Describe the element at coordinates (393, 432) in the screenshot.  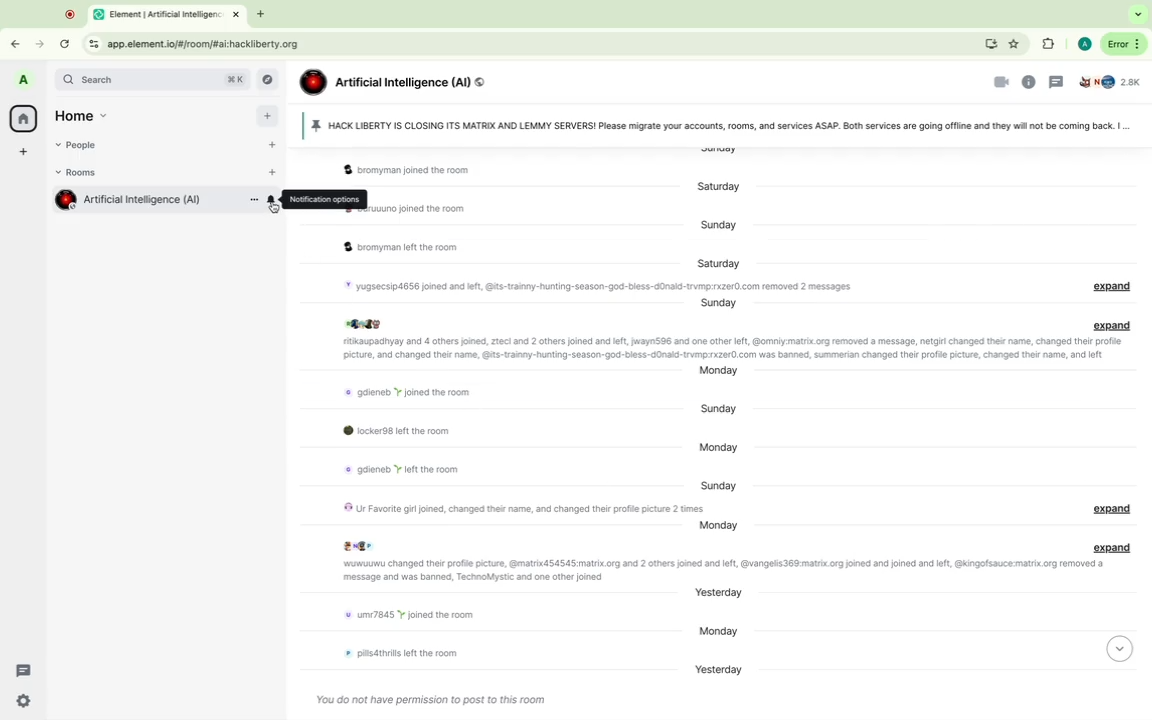
I see `Message` at that location.